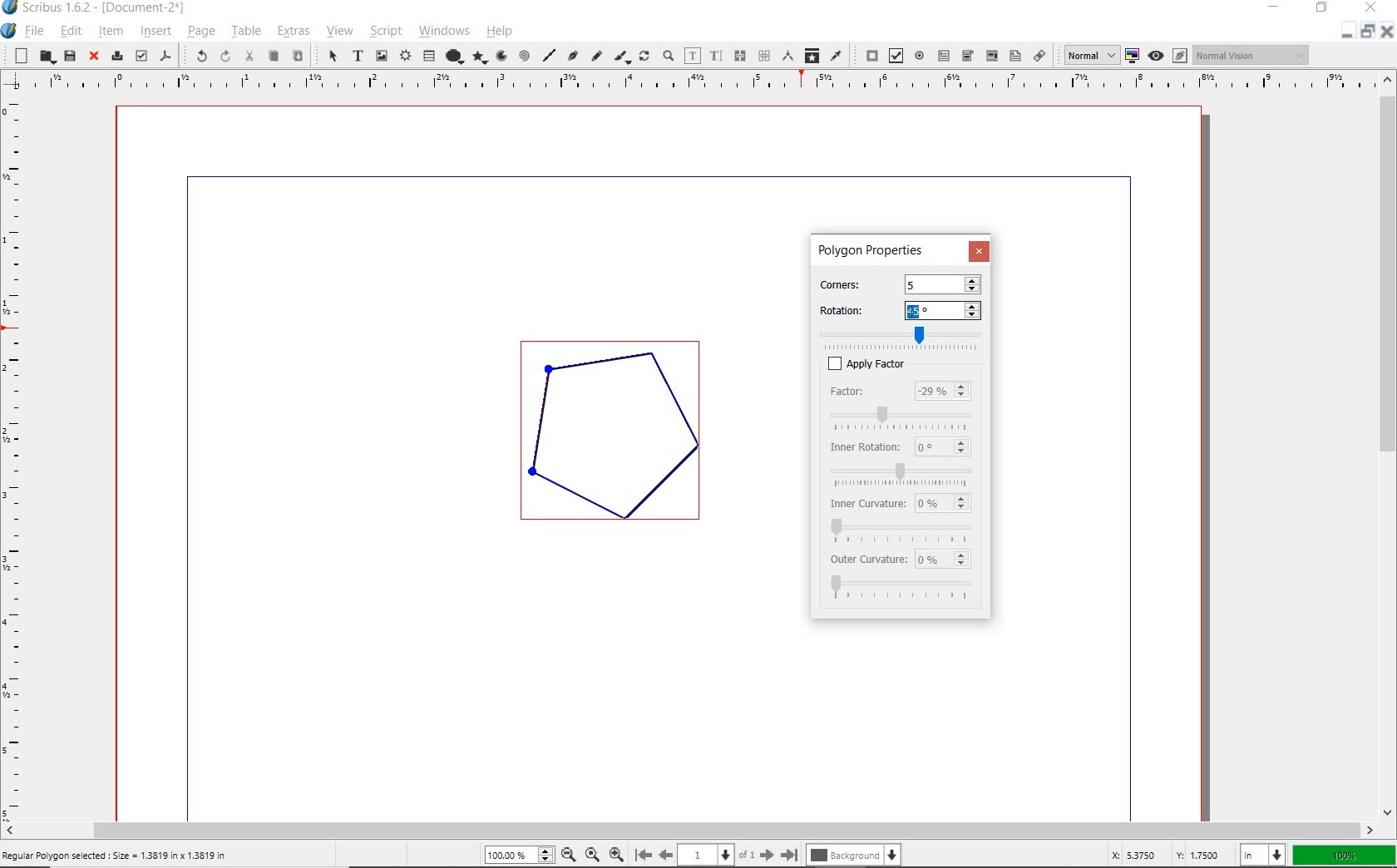 This screenshot has height=868, width=1397. What do you see at coordinates (1343, 32) in the screenshot?
I see `minimise` at bounding box center [1343, 32].